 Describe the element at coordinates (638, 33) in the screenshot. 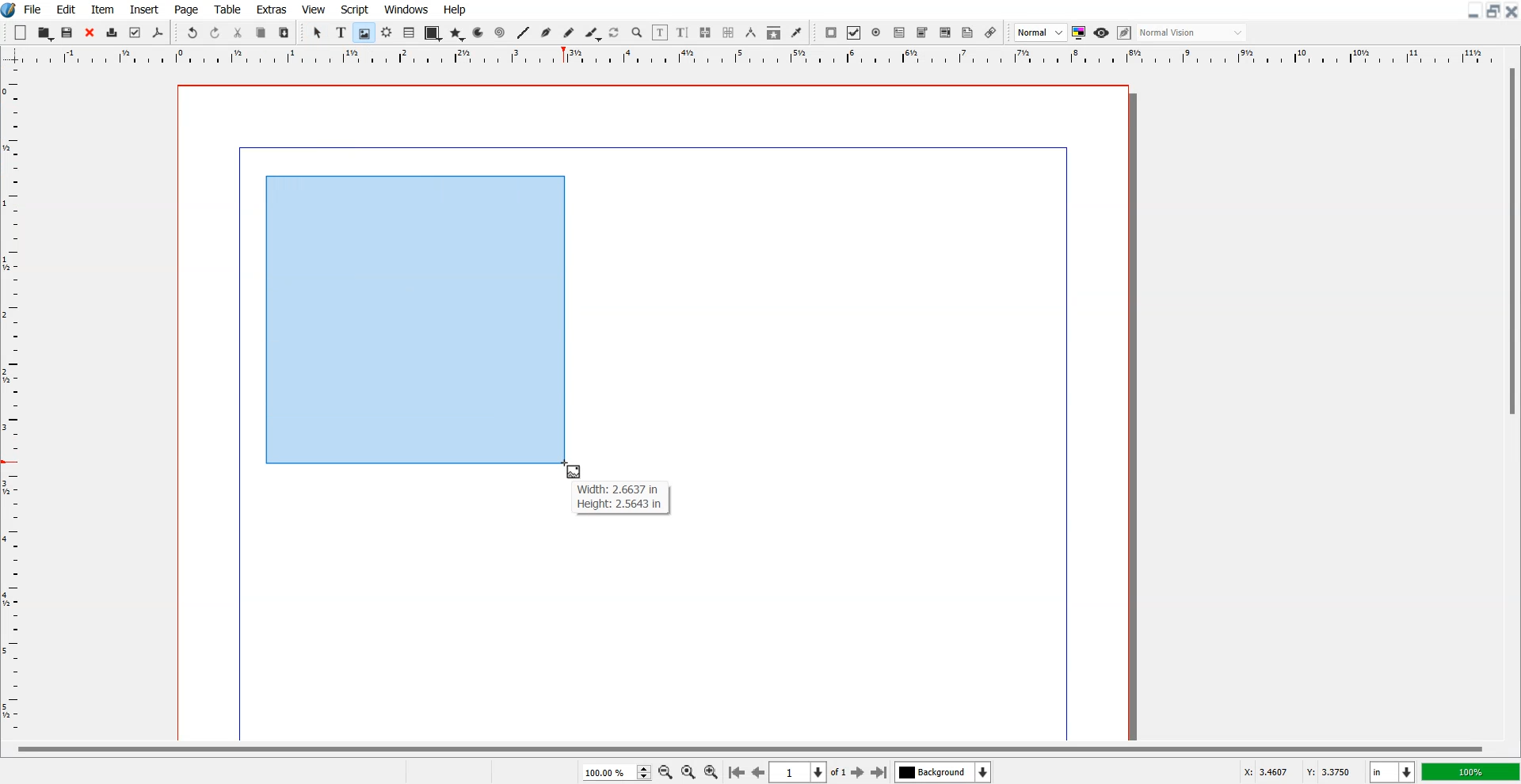

I see `Zoom in or Out` at that location.